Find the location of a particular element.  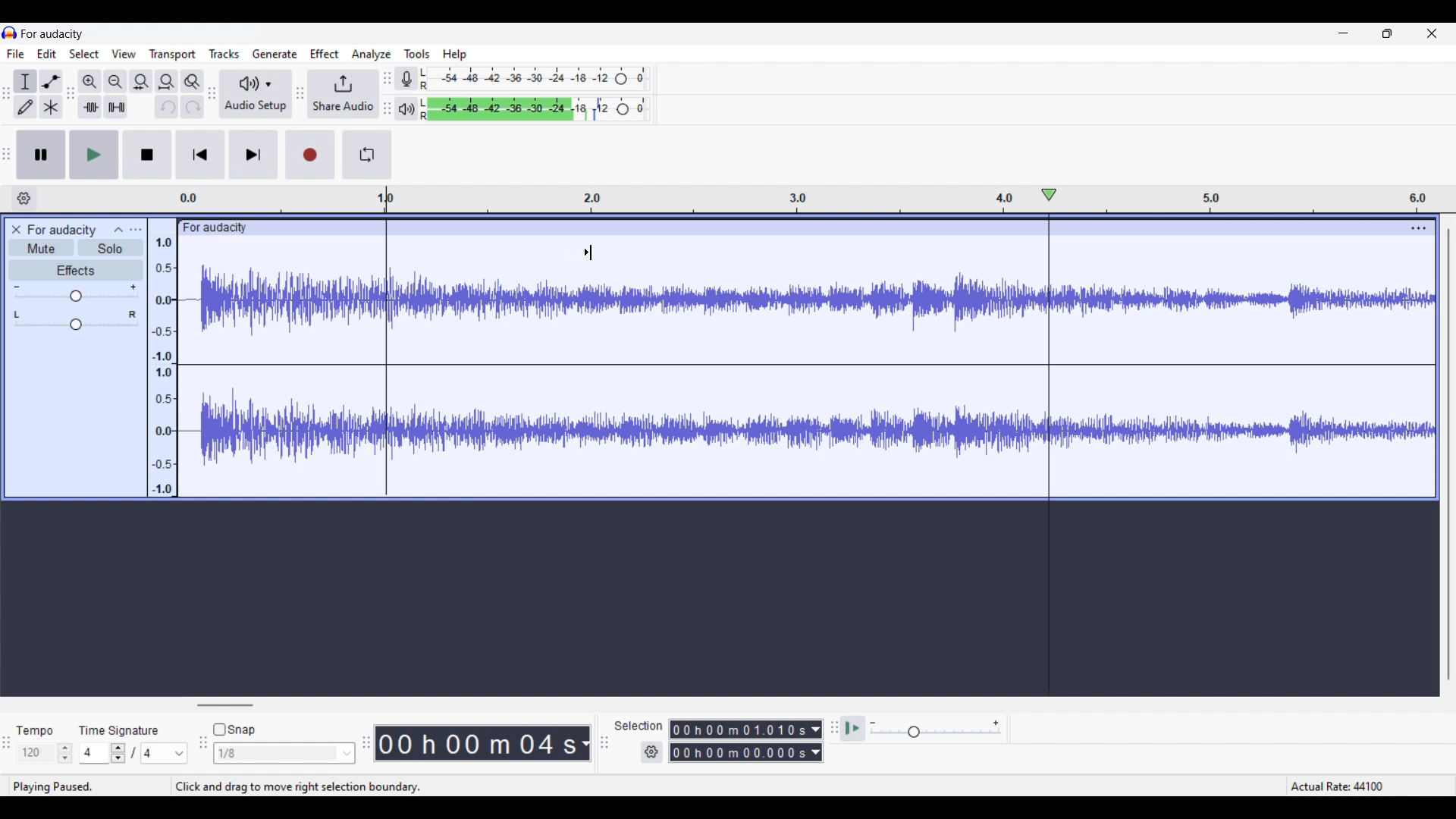

Actual rate 44100 is located at coordinates (1351, 777).